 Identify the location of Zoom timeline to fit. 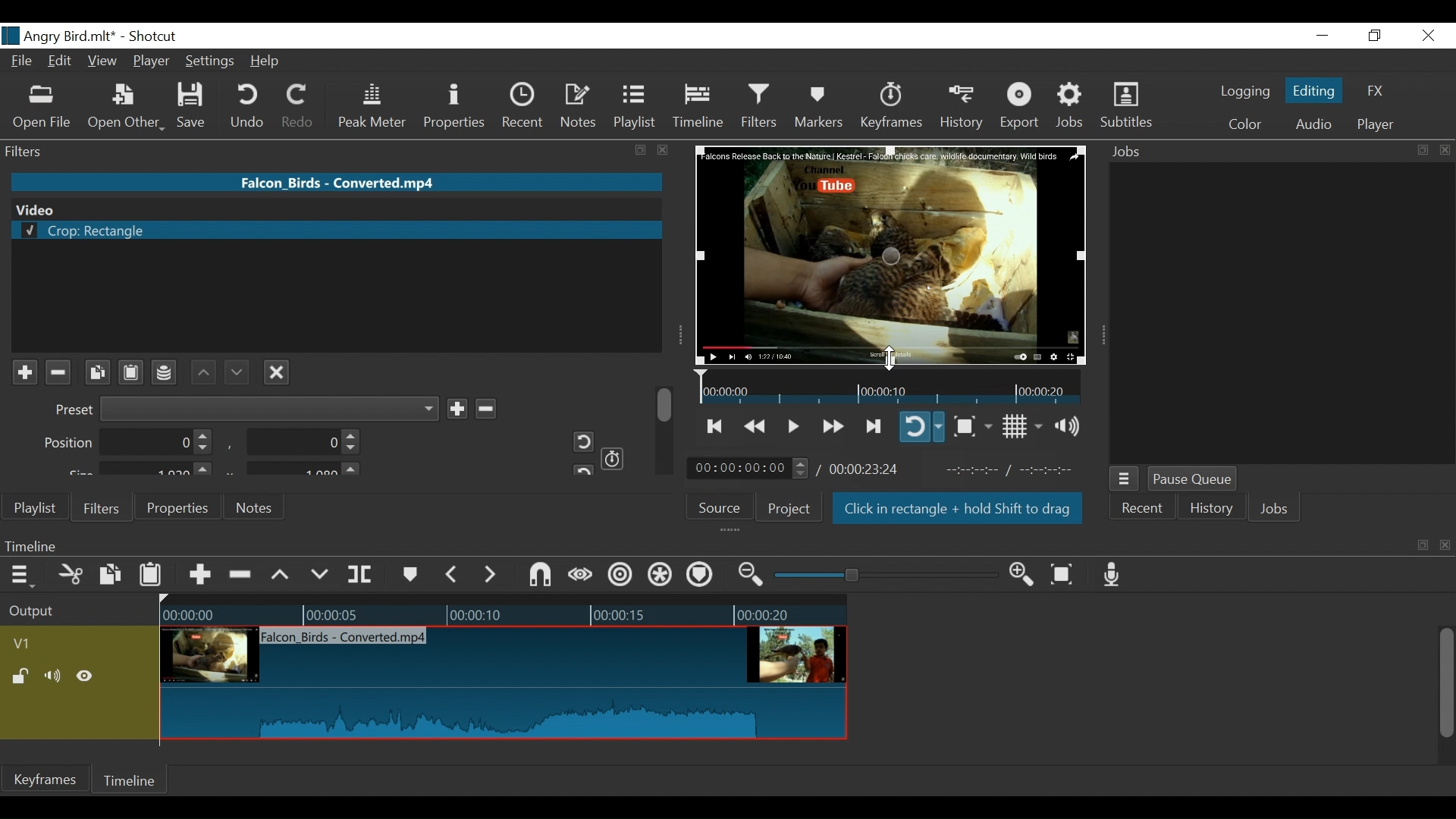
(1068, 573).